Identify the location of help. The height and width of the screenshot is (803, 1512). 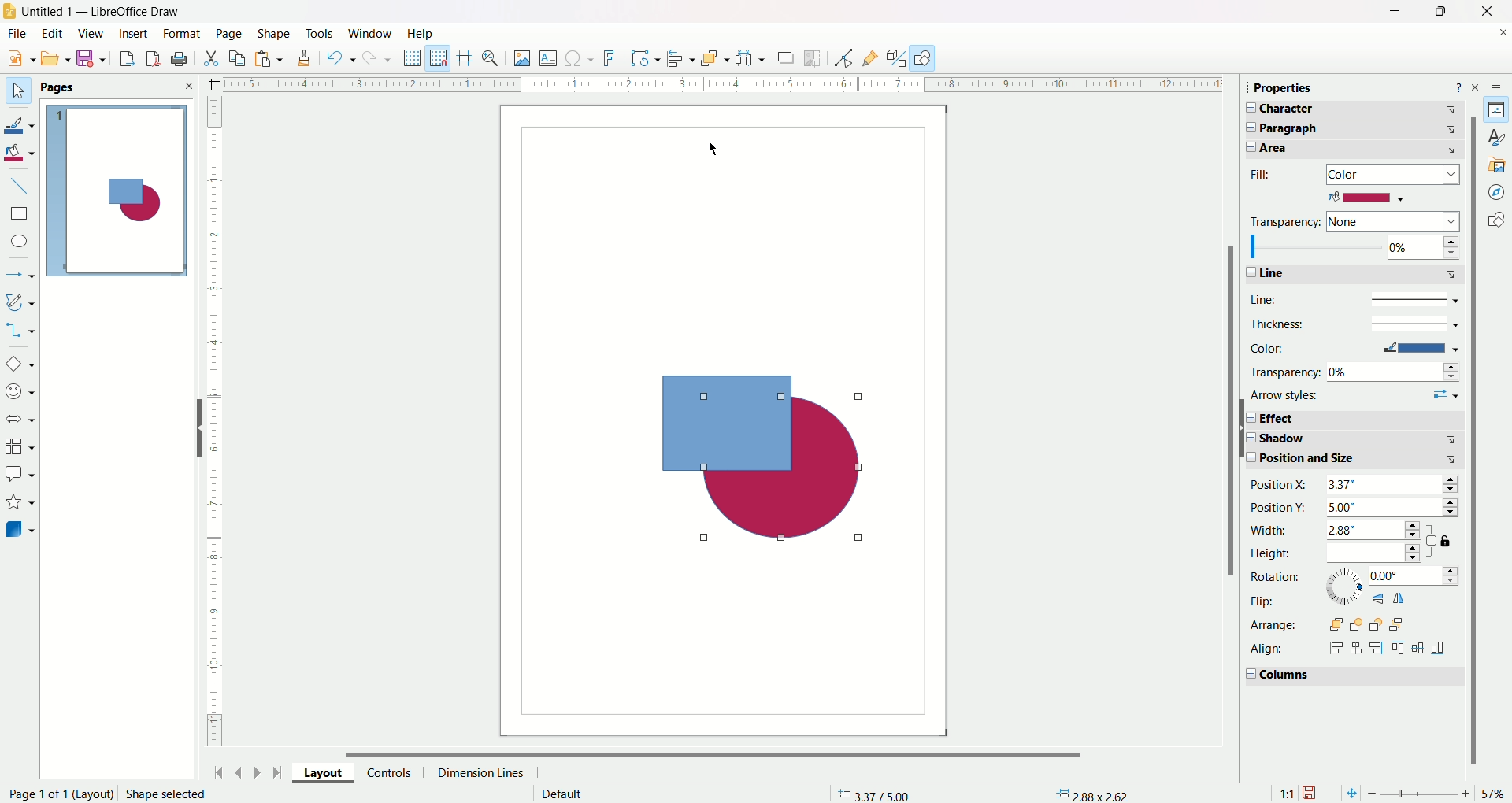
(1458, 86).